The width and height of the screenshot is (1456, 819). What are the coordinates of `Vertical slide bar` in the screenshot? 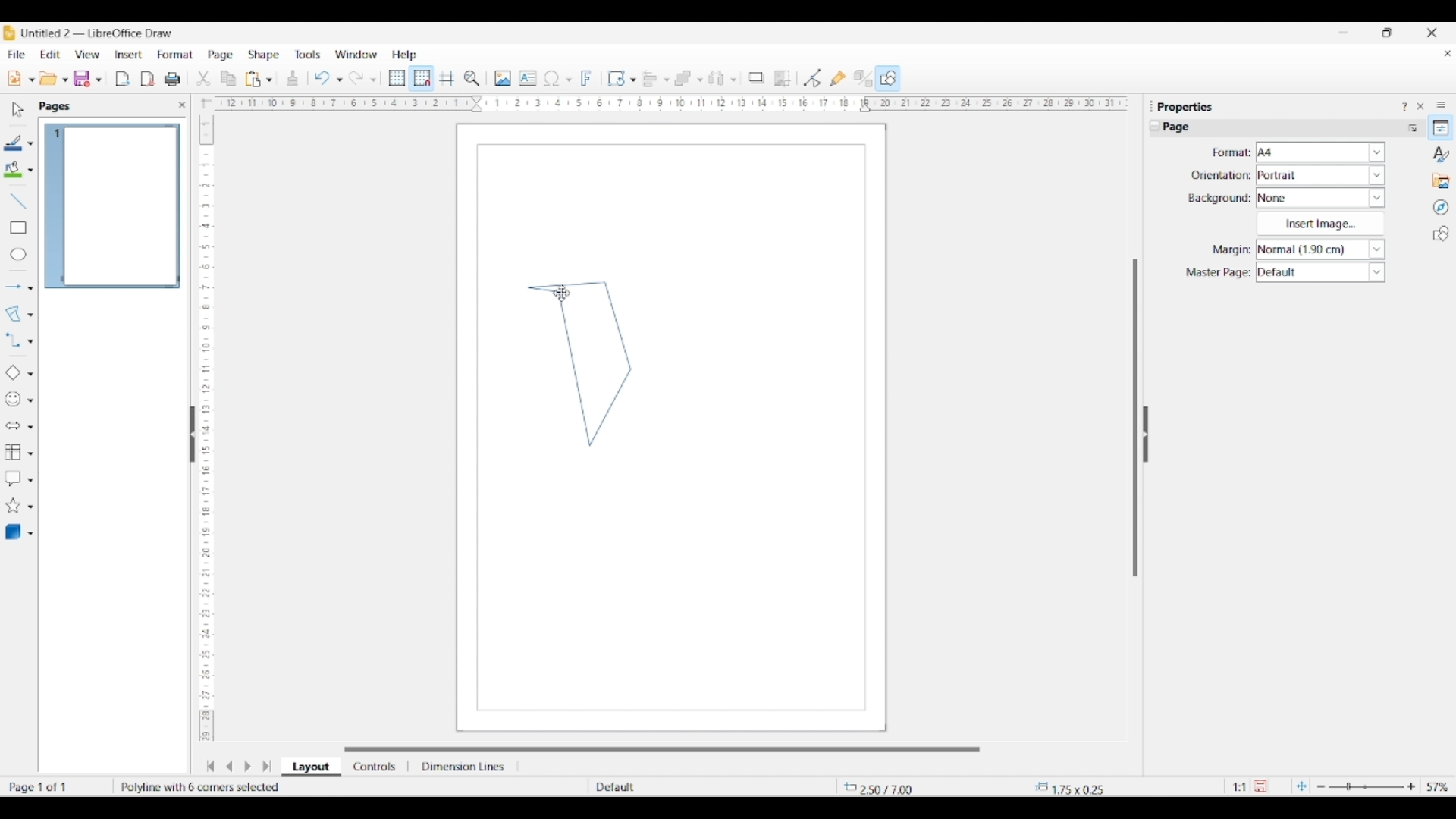 It's located at (1135, 418).